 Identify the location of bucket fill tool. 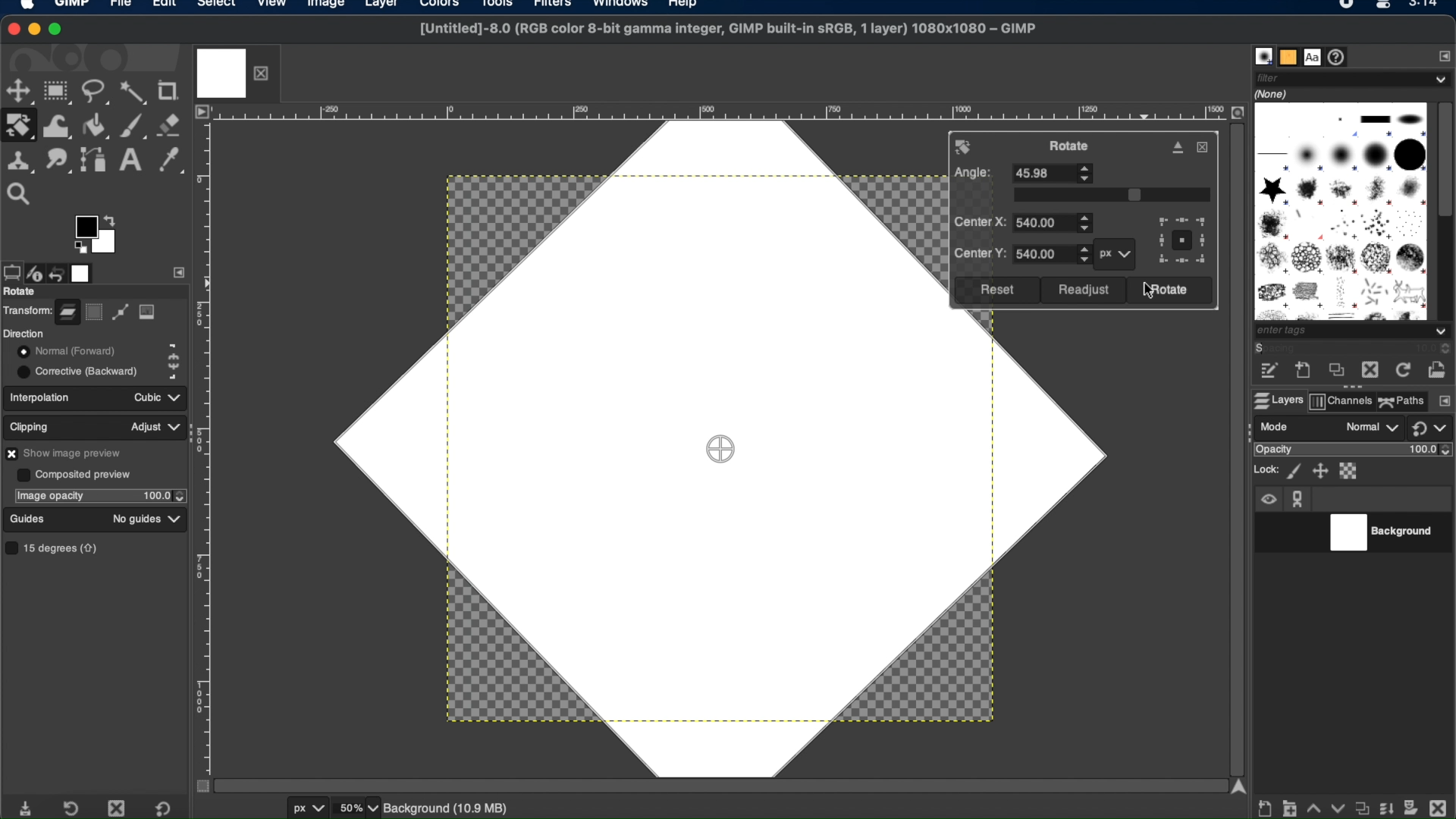
(96, 125).